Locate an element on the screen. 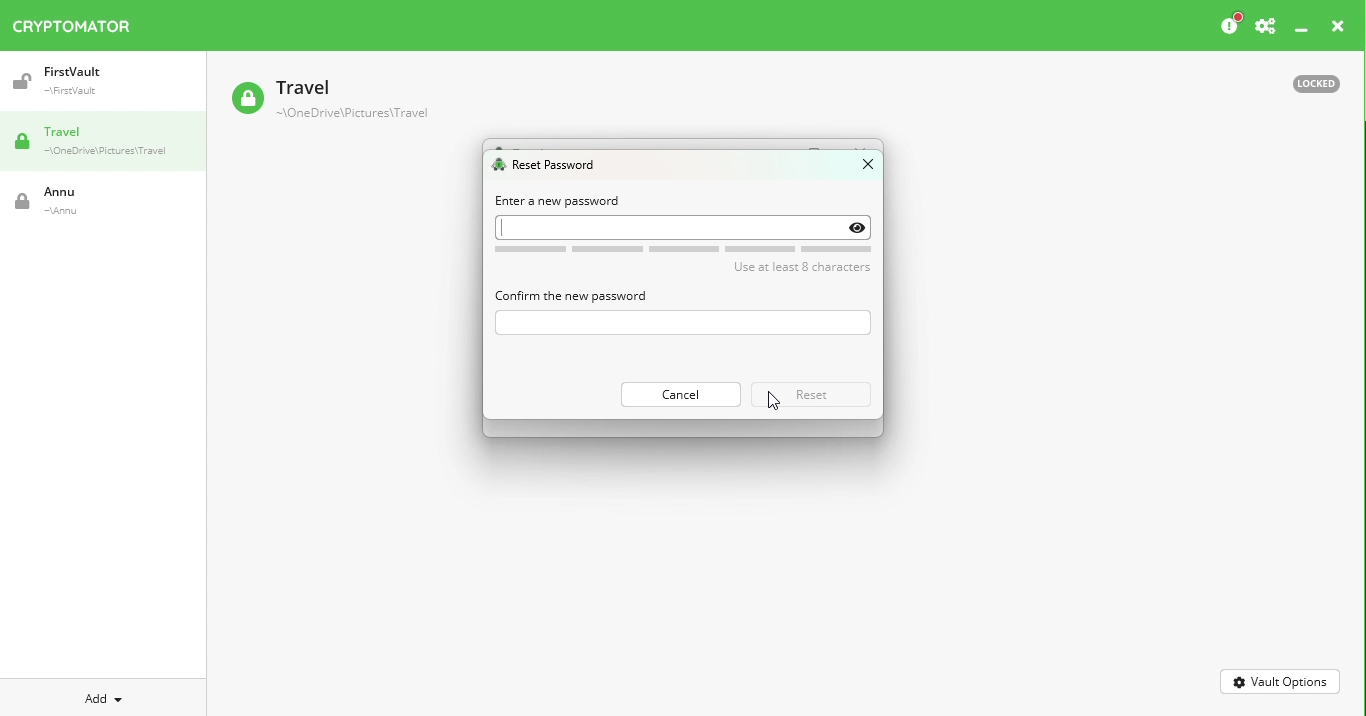  Enter password is located at coordinates (686, 226).